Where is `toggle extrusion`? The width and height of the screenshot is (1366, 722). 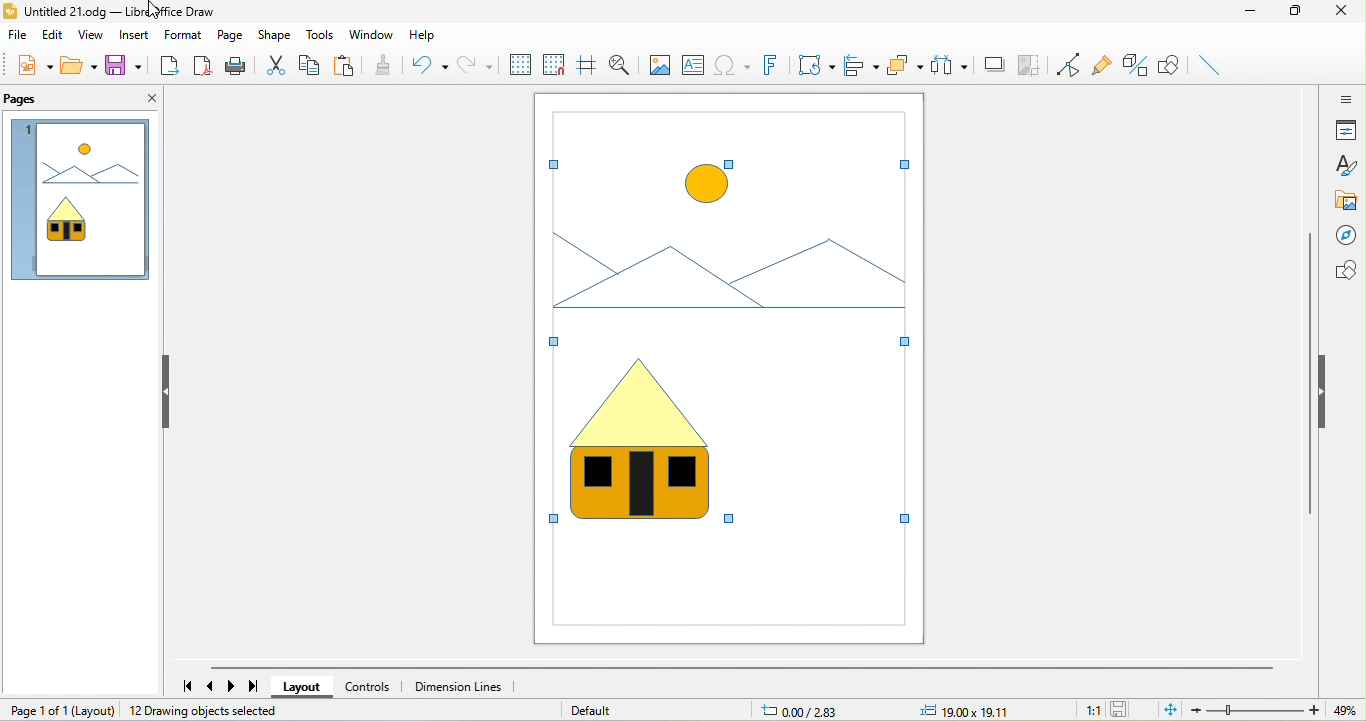 toggle extrusion is located at coordinates (1136, 65).